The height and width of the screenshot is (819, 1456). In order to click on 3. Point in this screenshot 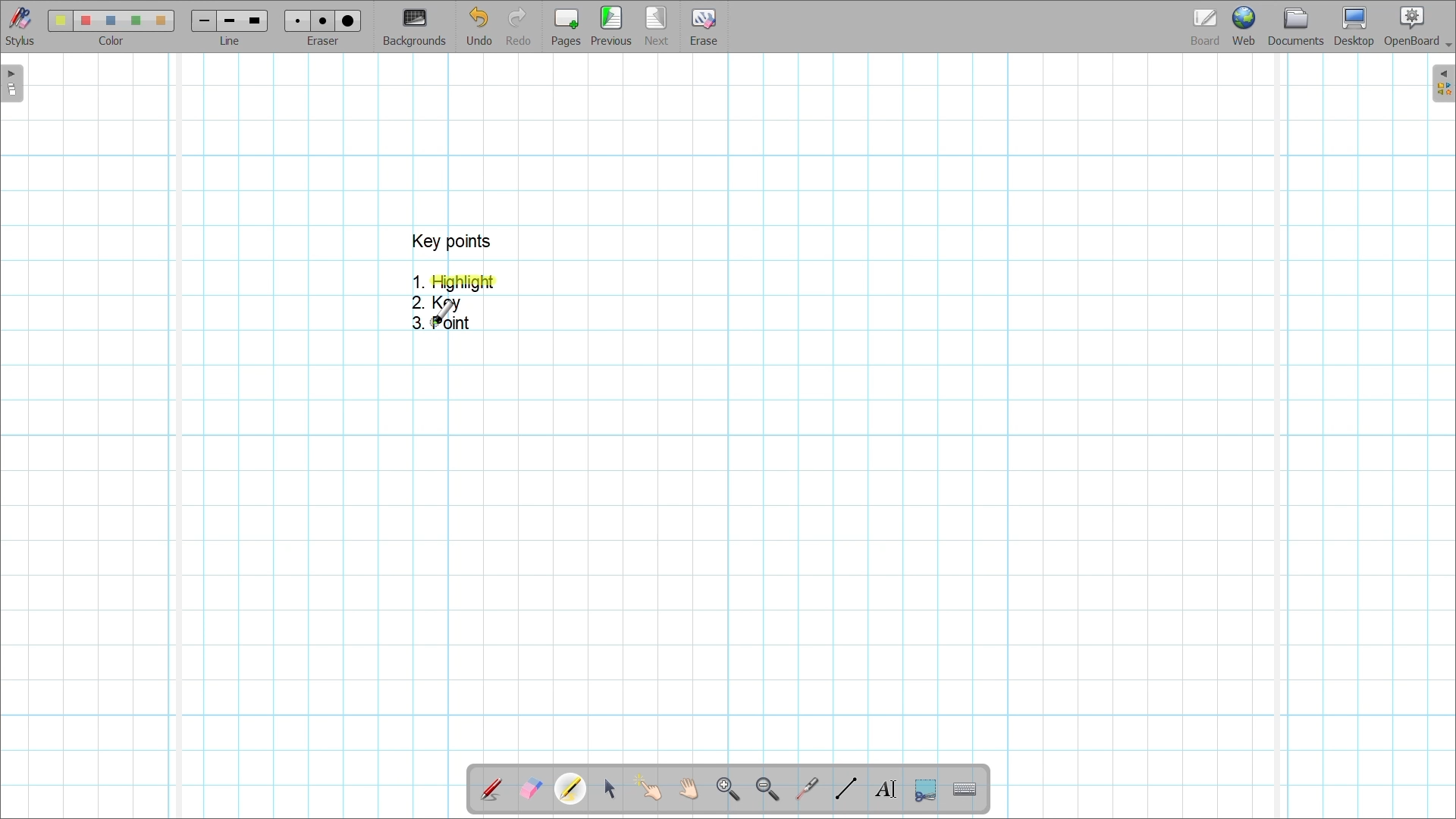, I will do `click(439, 323)`.